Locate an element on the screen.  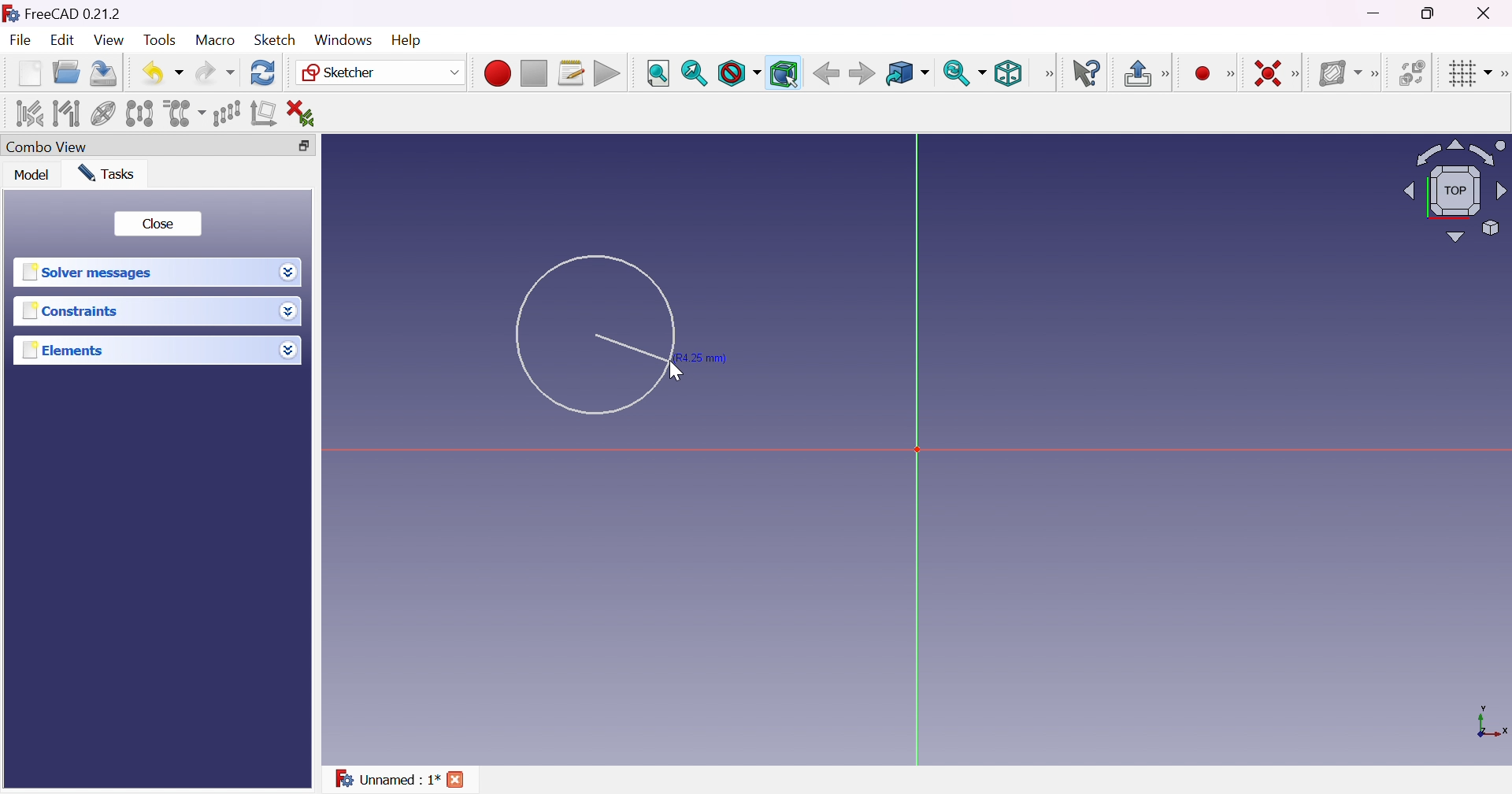
Restore down is located at coordinates (1429, 15).